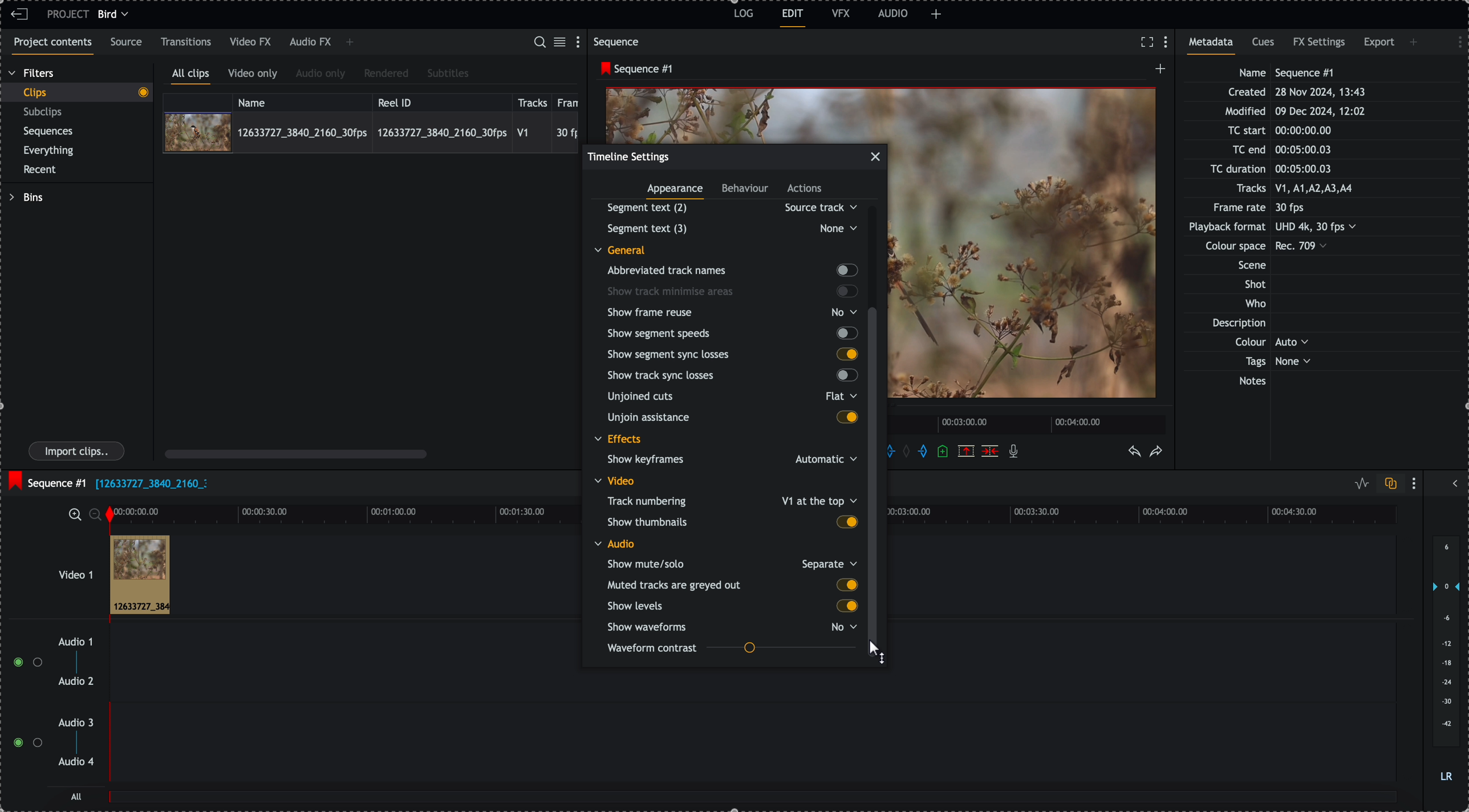 The height and width of the screenshot is (812, 1469). What do you see at coordinates (386, 74) in the screenshot?
I see `rendered` at bounding box center [386, 74].